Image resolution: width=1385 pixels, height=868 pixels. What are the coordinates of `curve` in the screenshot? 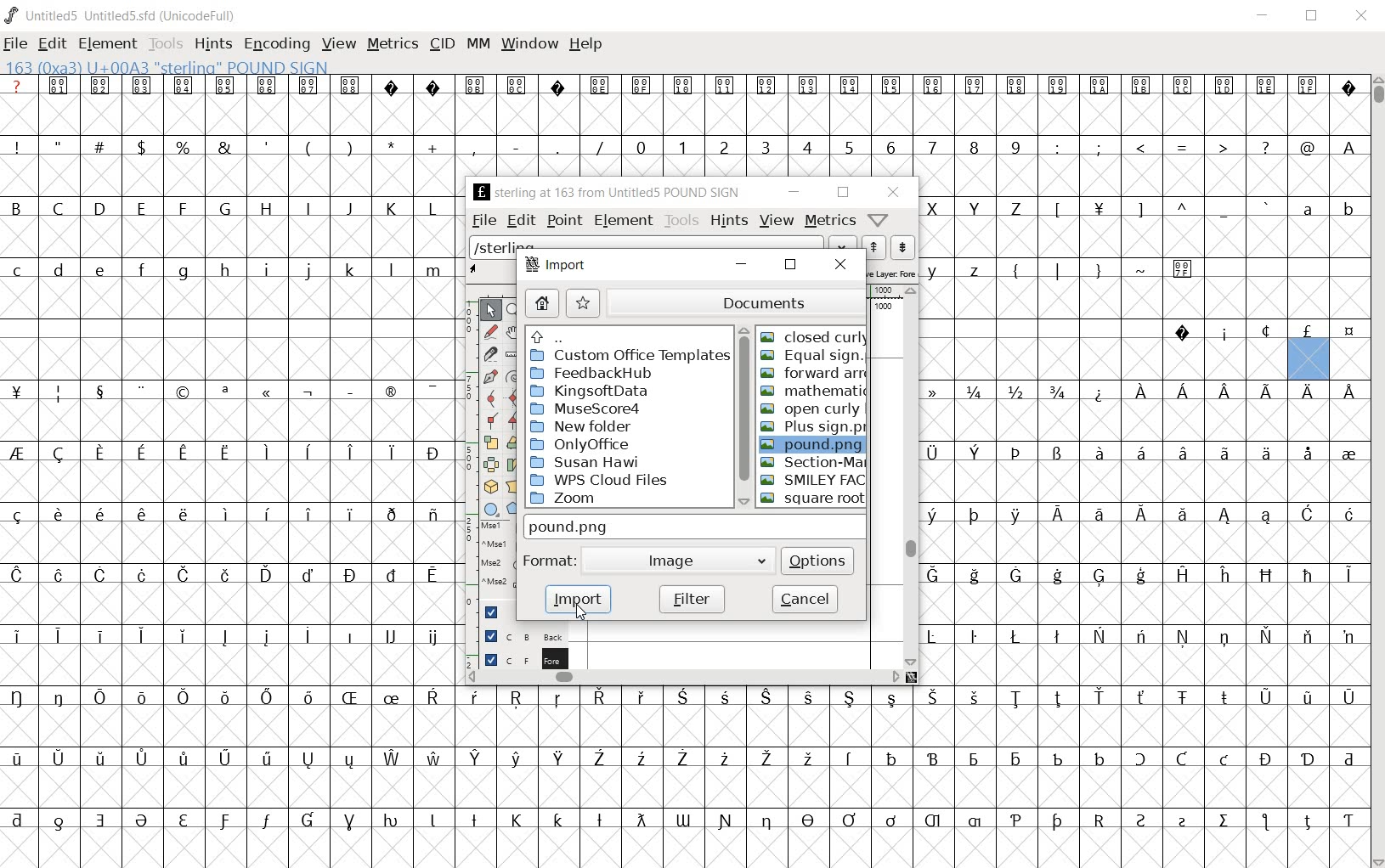 It's located at (493, 401).